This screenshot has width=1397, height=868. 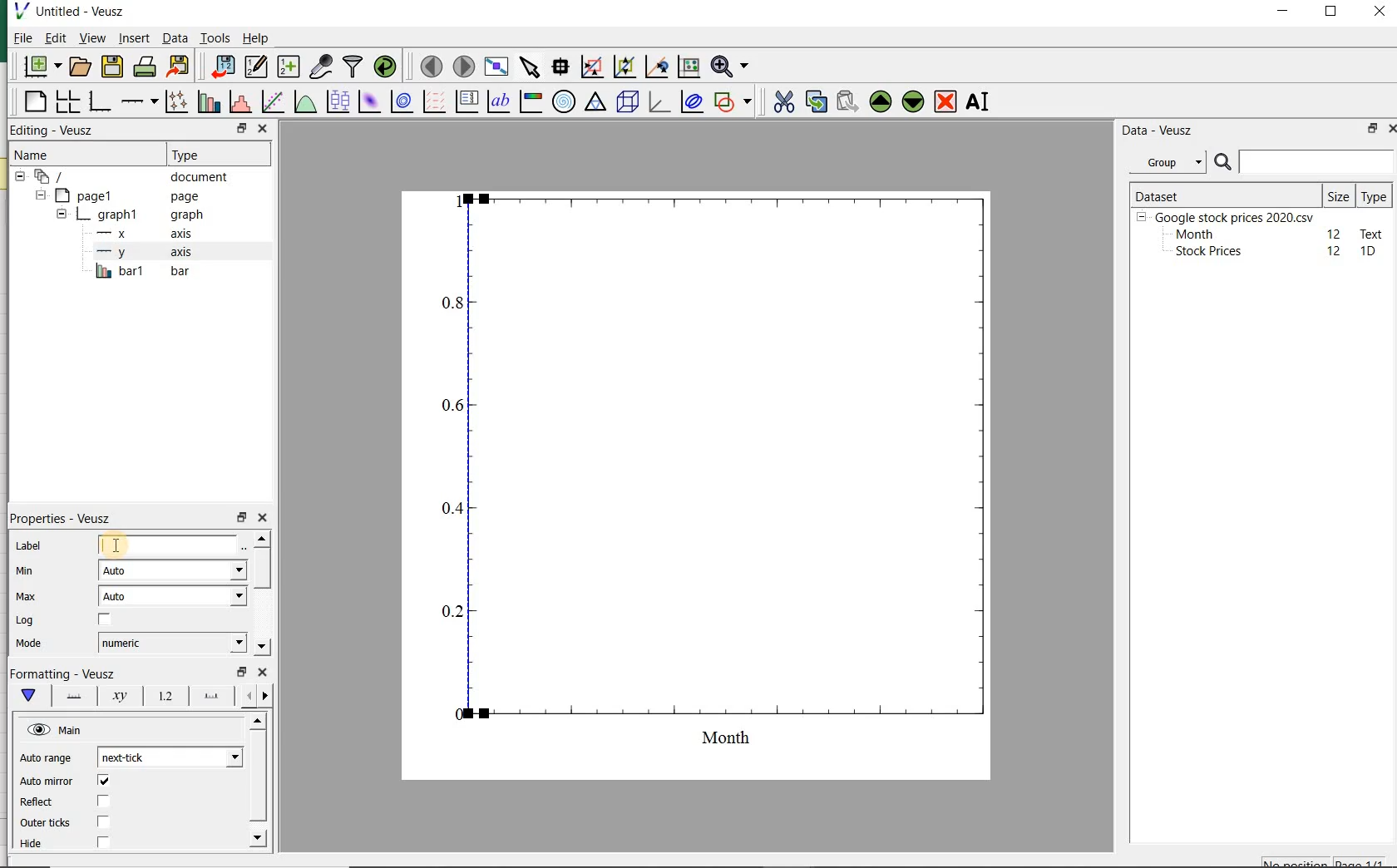 What do you see at coordinates (733, 102) in the screenshot?
I see `add a shape to the plot` at bounding box center [733, 102].